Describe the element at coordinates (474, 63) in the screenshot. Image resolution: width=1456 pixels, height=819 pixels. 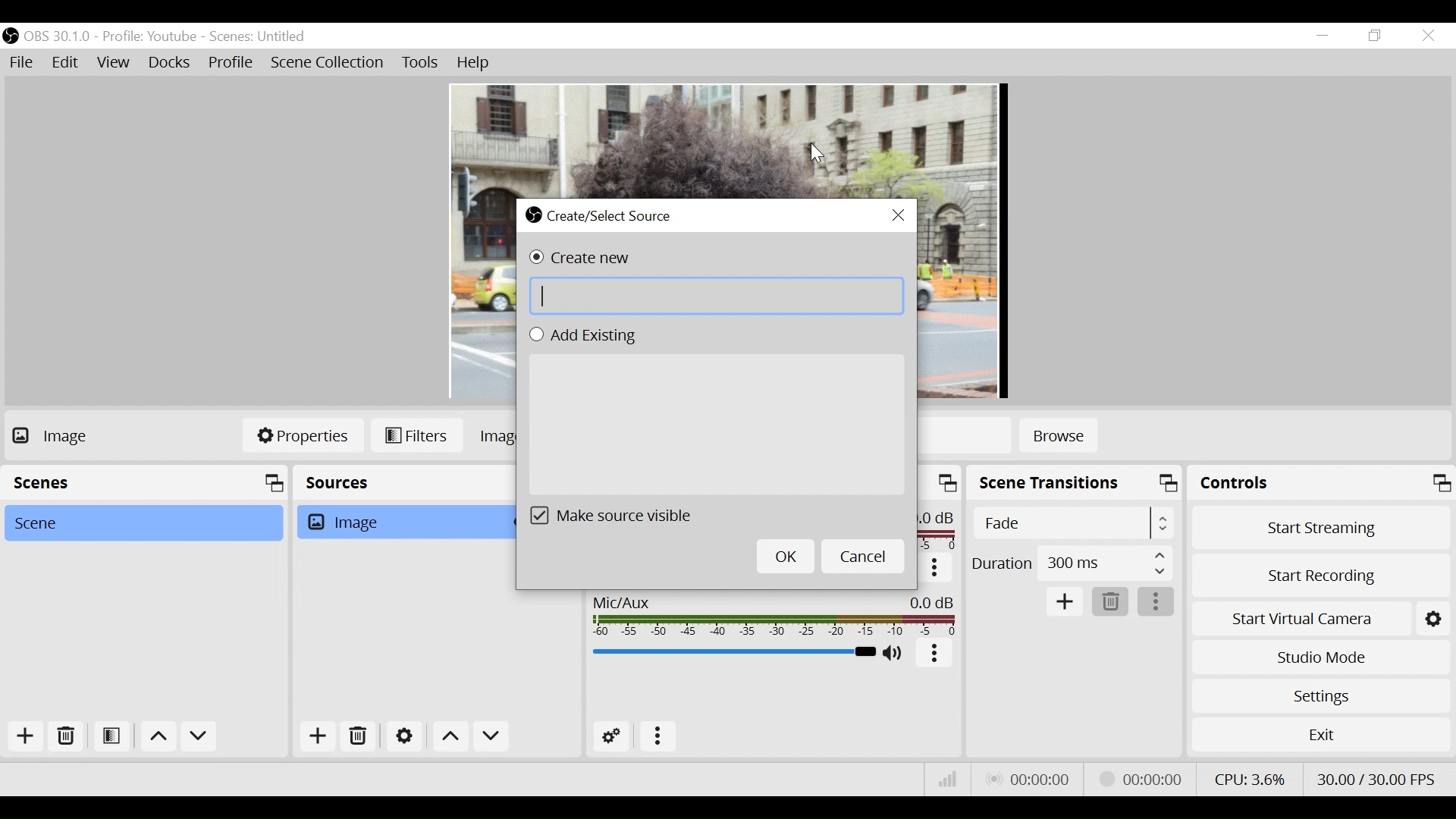
I see `Help` at that location.